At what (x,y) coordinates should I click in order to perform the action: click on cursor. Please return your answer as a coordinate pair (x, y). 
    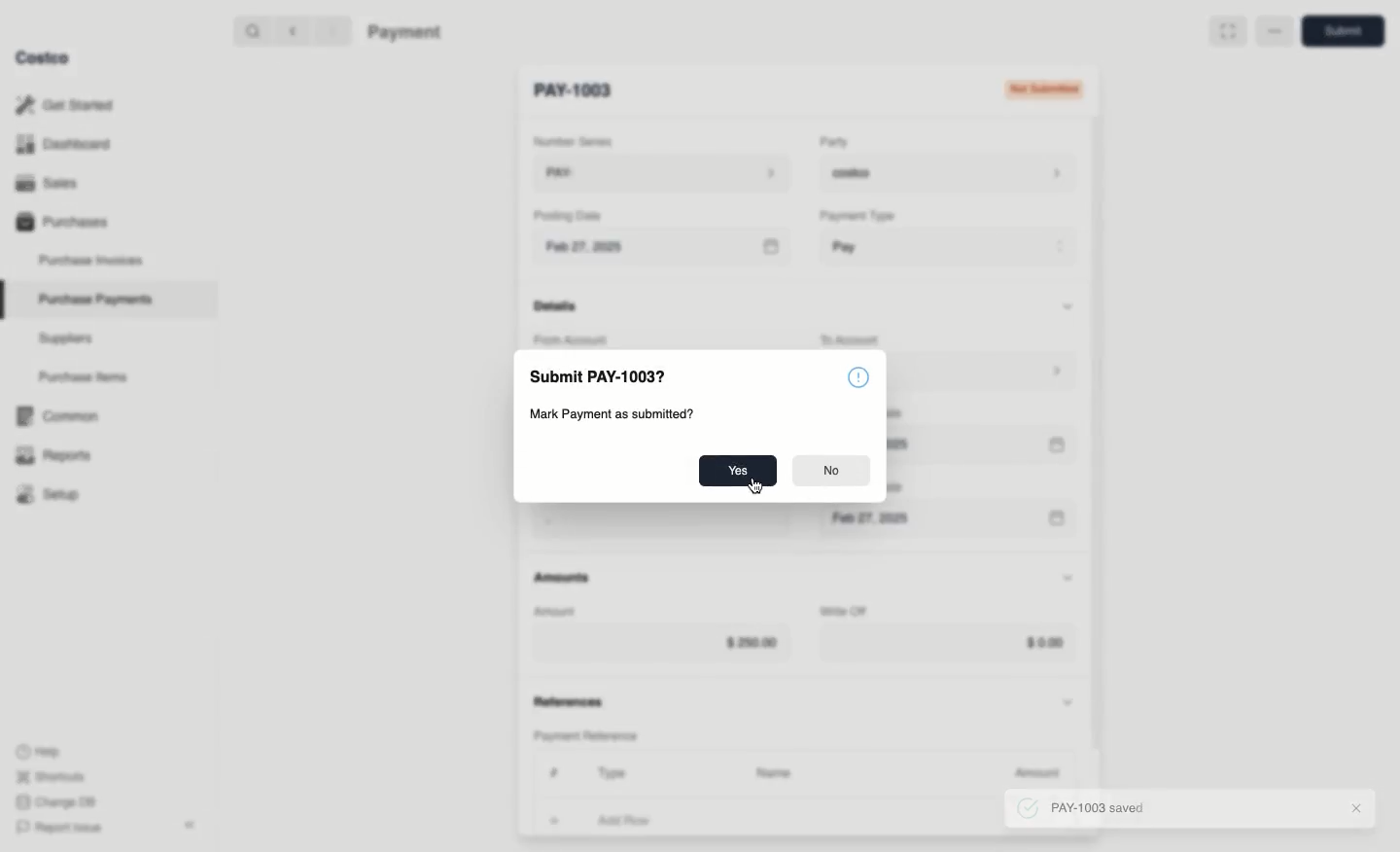
    Looking at the image, I should click on (752, 485).